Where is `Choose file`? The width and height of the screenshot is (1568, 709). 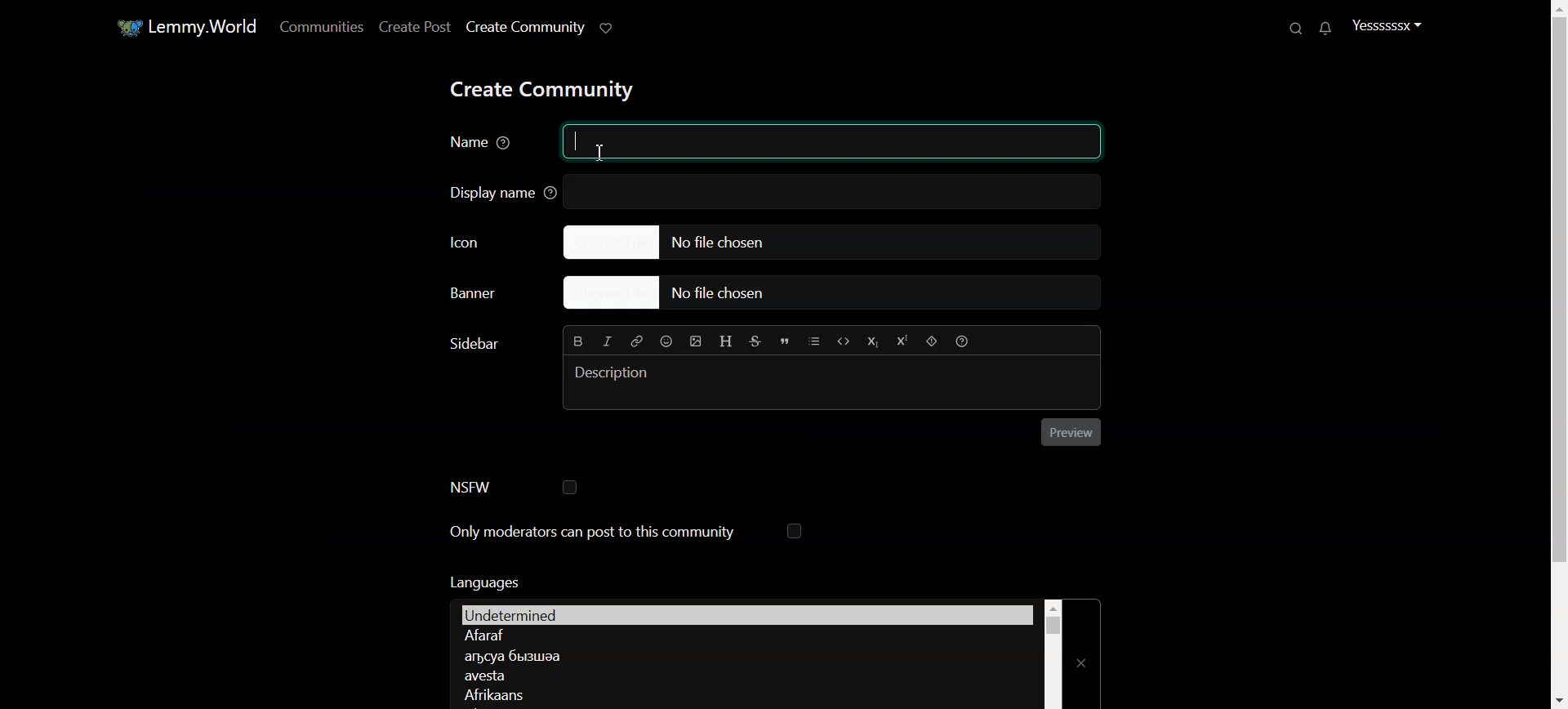
Choose file is located at coordinates (834, 294).